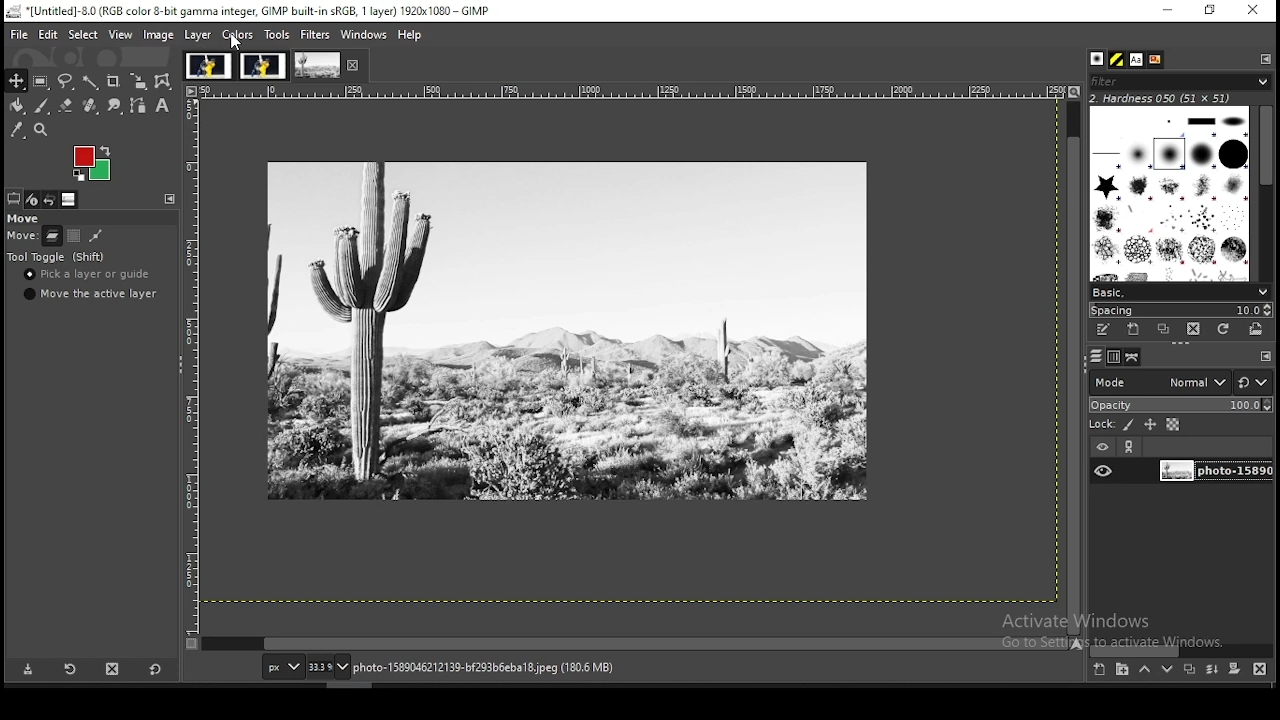  Describe the element at coordinates (50, 34) in the screenshot. I see `edit` at that location.